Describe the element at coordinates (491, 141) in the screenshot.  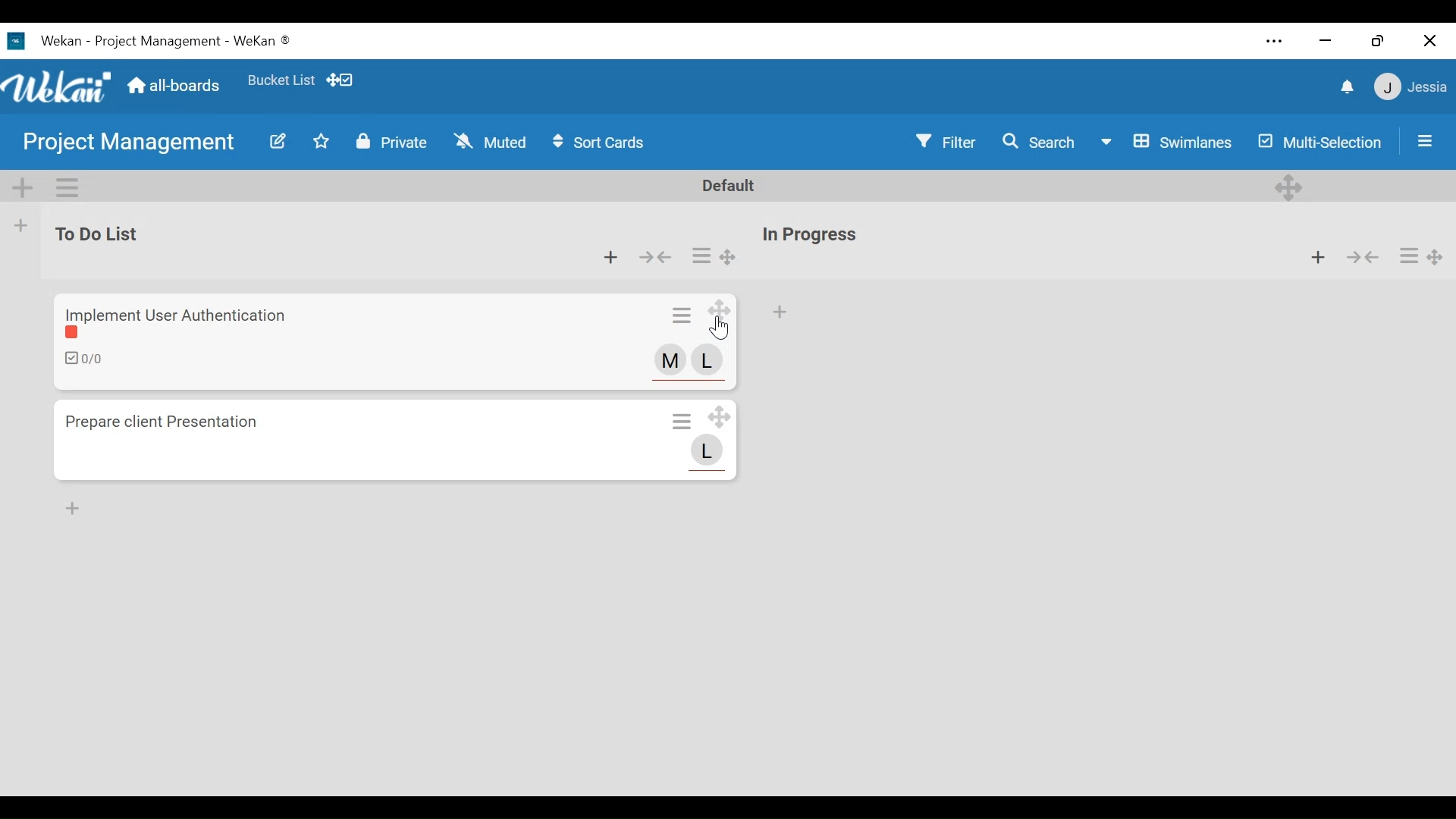
I see `Muted` at that location.